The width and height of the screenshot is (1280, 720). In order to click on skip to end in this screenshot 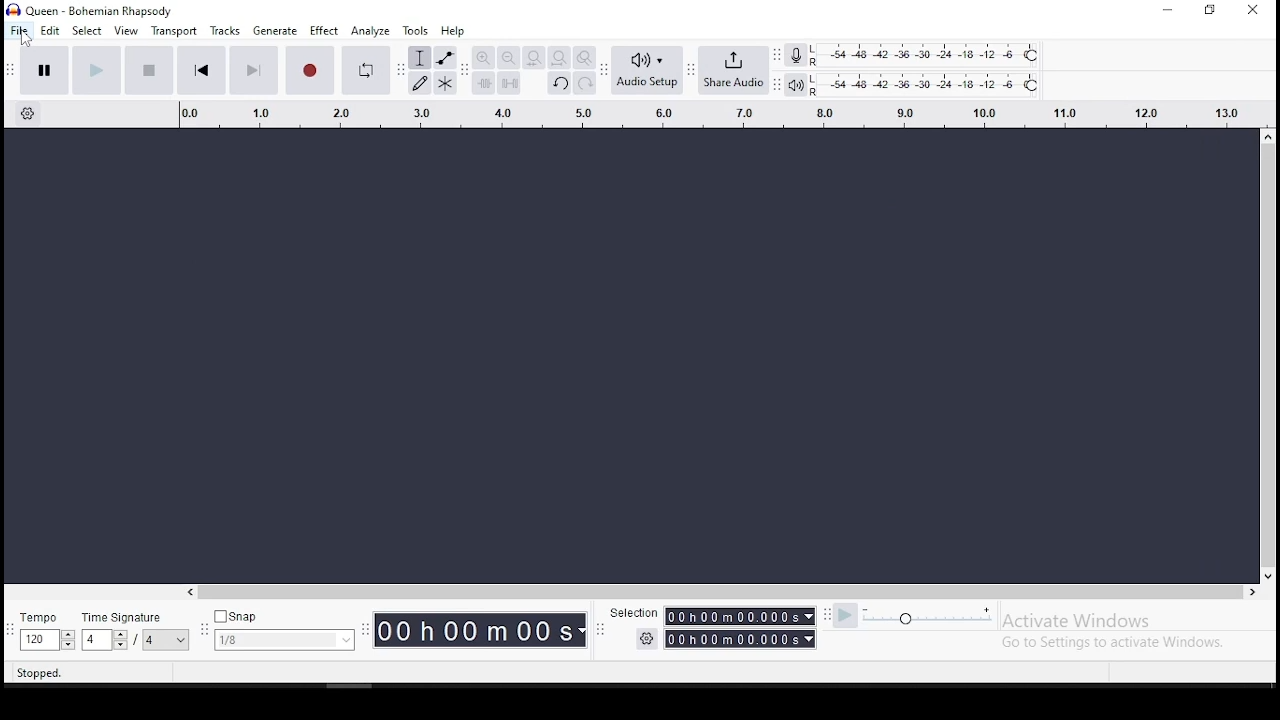, I will do `click(254, 72)`.